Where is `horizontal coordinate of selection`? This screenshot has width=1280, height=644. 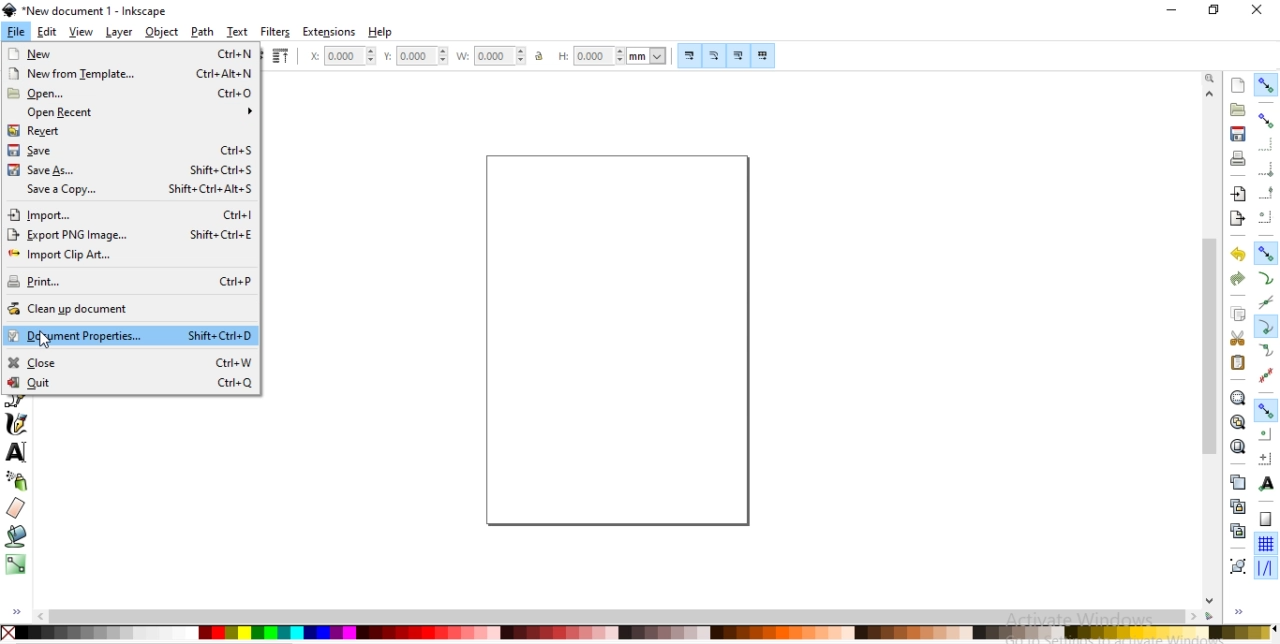
horizontal coordinate of selection is located at coordinates (340, 58).